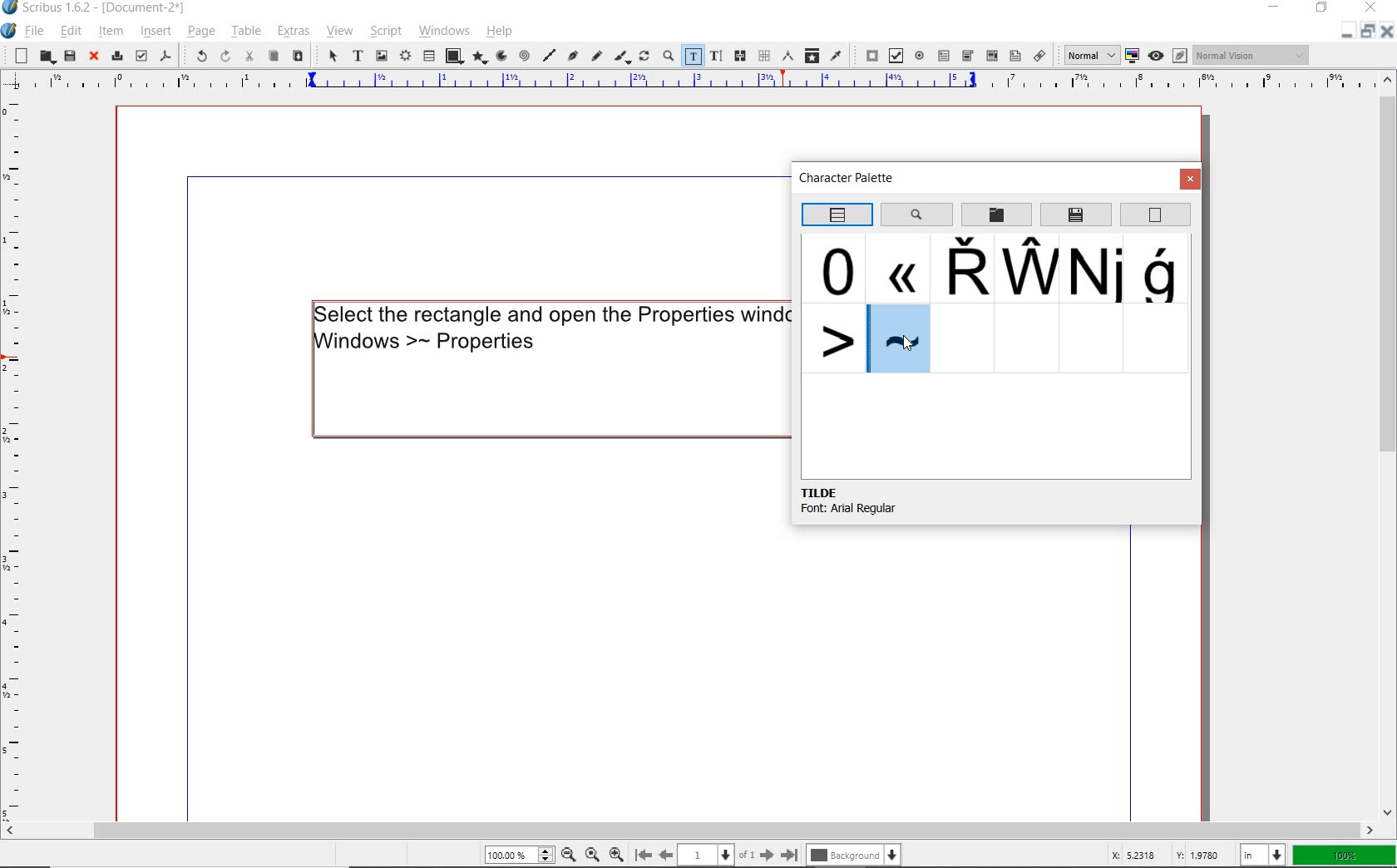 The height and width of the screenshot is (868, 1397). What do you see at coordinates (546, 326) in the screenshot?
I see `text` at bounding box center [546, 326].